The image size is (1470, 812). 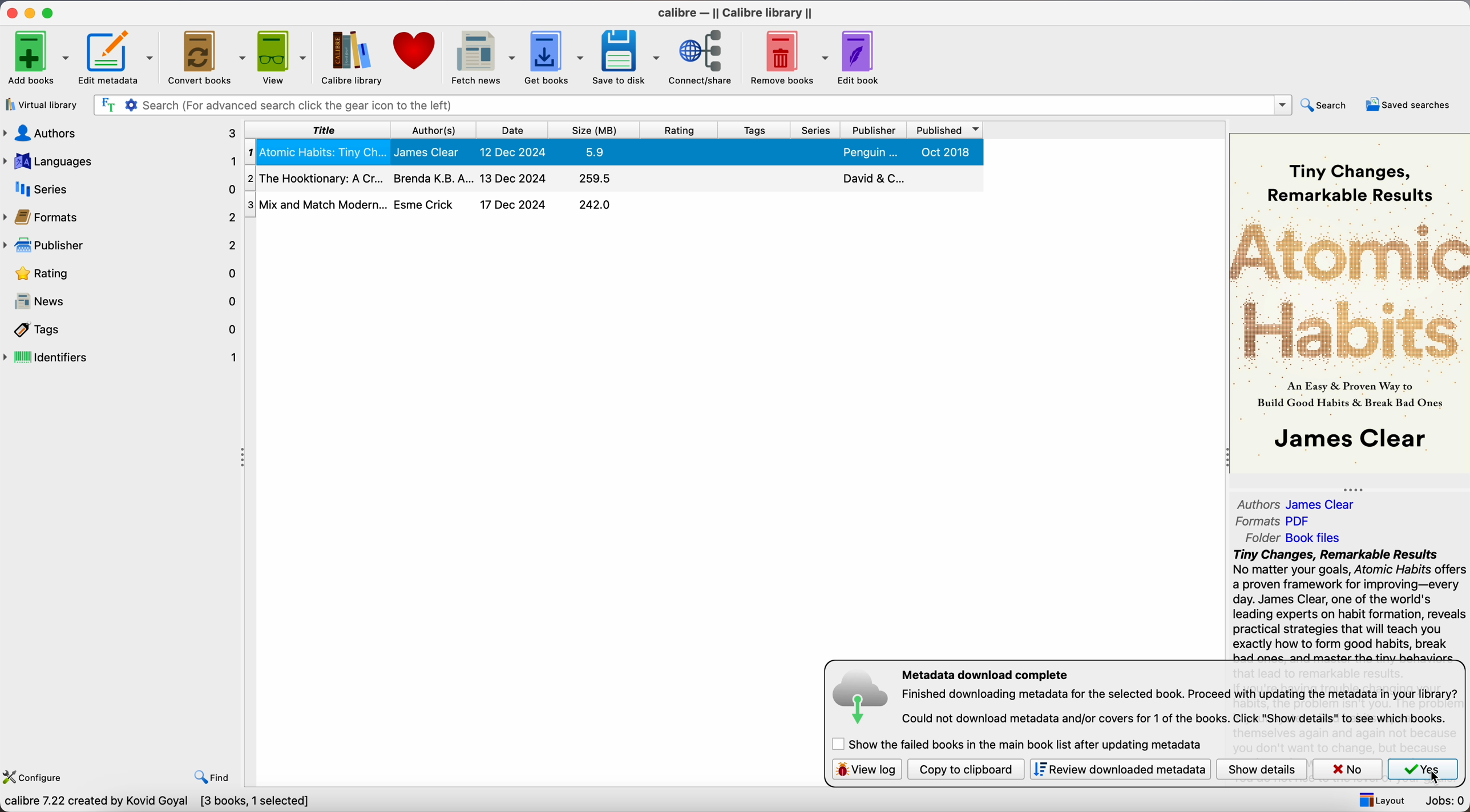 I want to click on cursor, so click(x=1439, y=781).